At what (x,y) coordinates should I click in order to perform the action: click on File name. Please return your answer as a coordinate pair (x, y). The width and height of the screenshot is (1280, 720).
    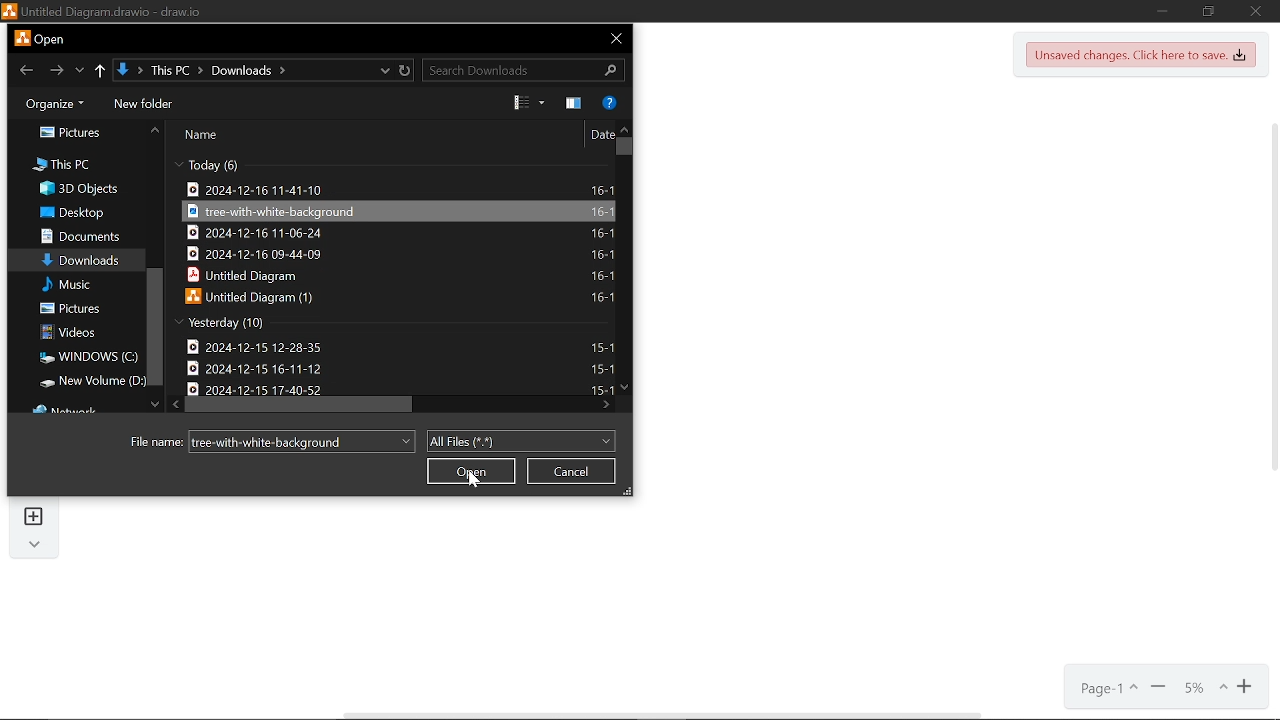
    Looking at the image, I should click on (302, 441).